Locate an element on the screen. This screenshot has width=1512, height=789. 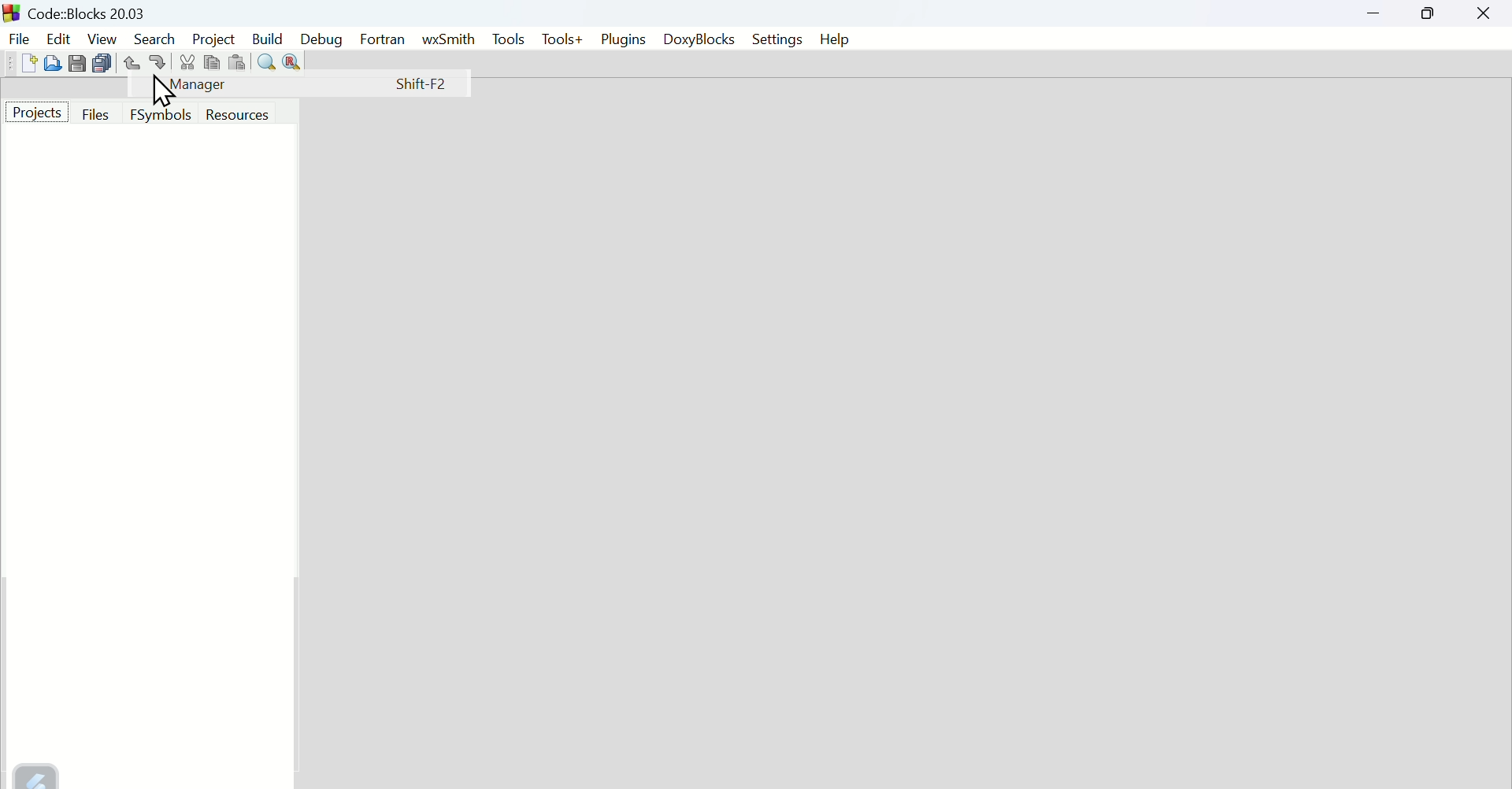
Undo is located at coordinates (132, 62).